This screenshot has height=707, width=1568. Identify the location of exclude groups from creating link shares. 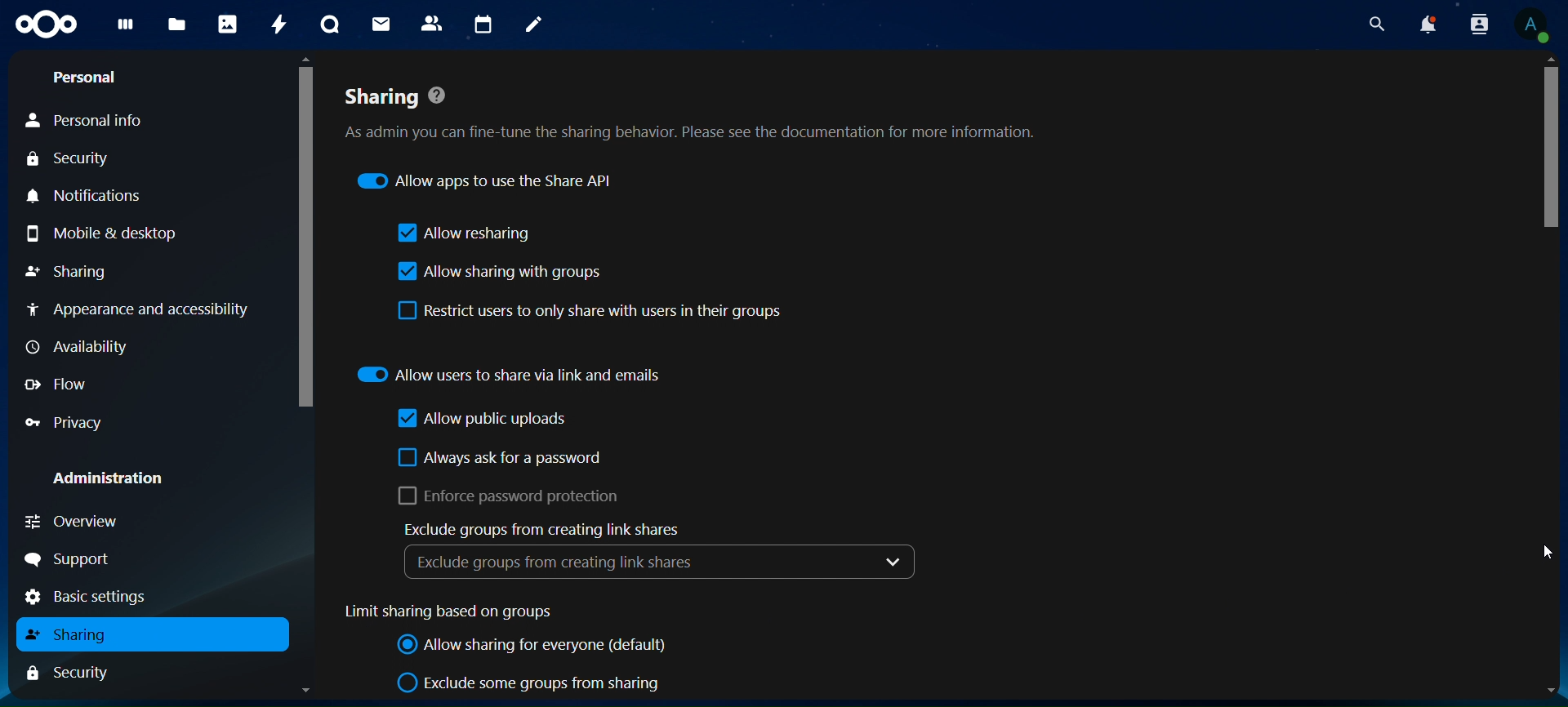
(536, 529).